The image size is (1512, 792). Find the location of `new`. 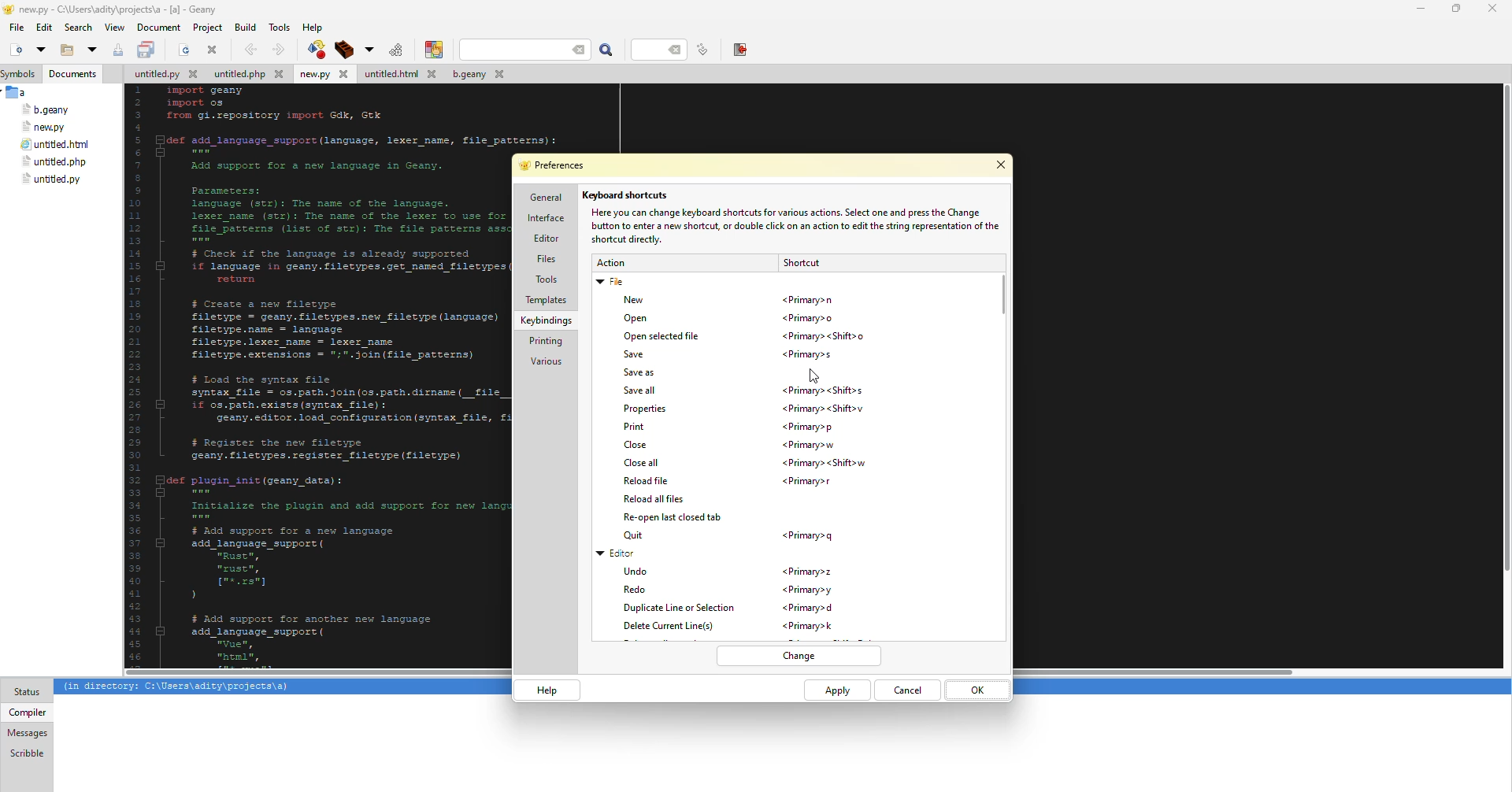

new is located at coordinates (631, 301).